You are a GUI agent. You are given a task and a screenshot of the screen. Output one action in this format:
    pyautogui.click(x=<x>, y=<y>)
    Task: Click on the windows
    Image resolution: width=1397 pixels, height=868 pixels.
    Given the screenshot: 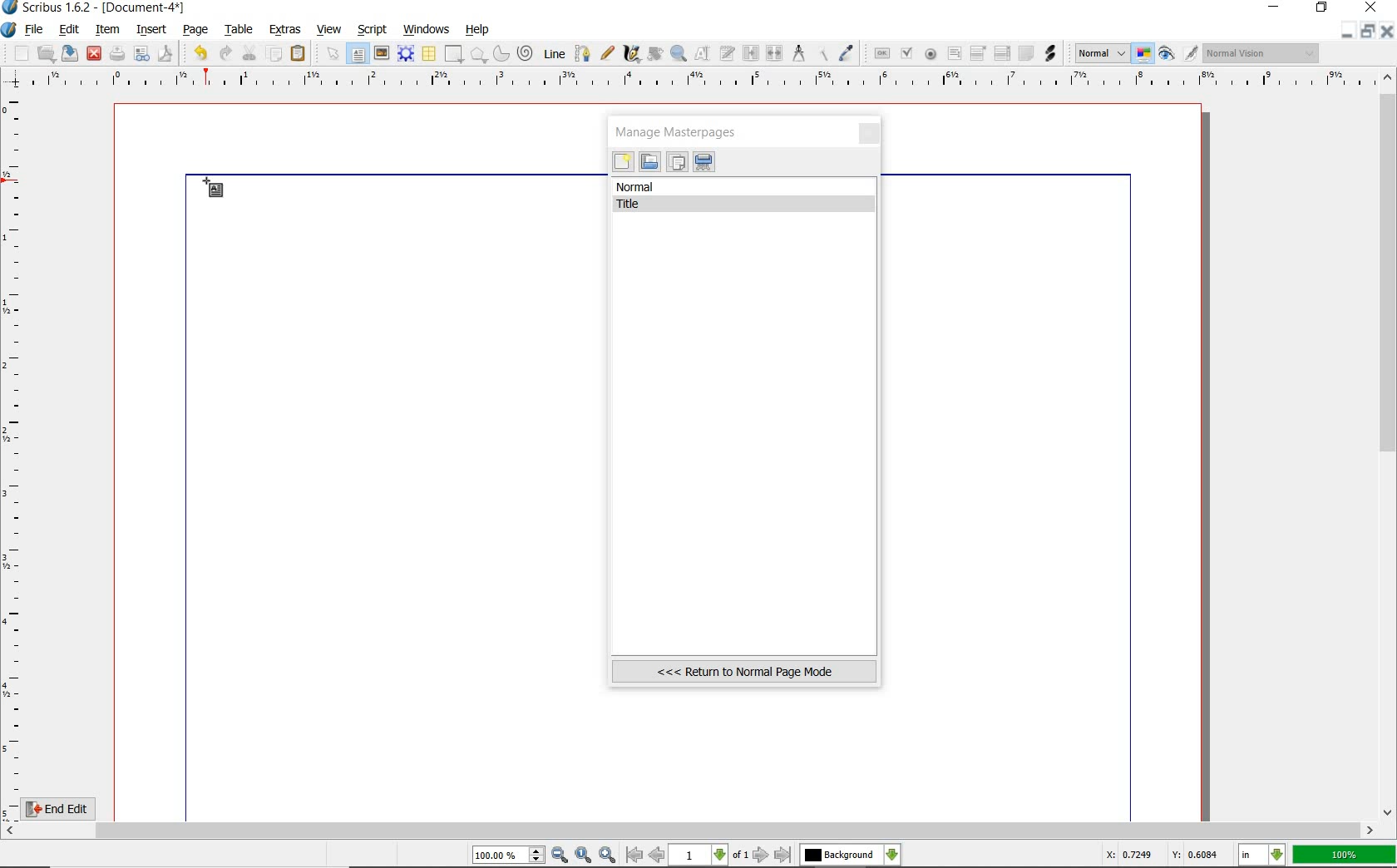 What is the action you would take?
    pyautogui.click(x=426, y=28)
    